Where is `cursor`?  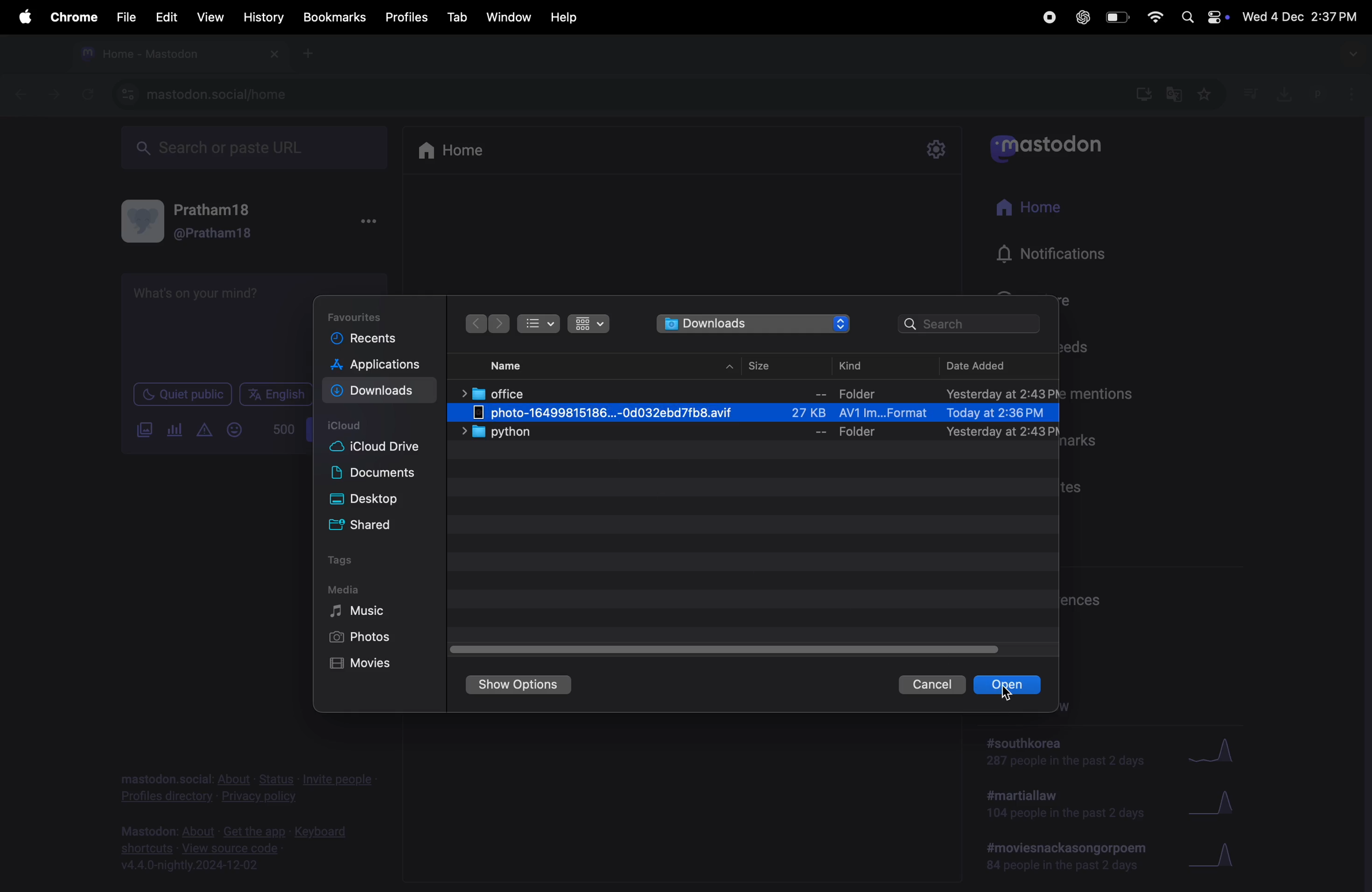 cursor is located at coordinates (1006, 694).